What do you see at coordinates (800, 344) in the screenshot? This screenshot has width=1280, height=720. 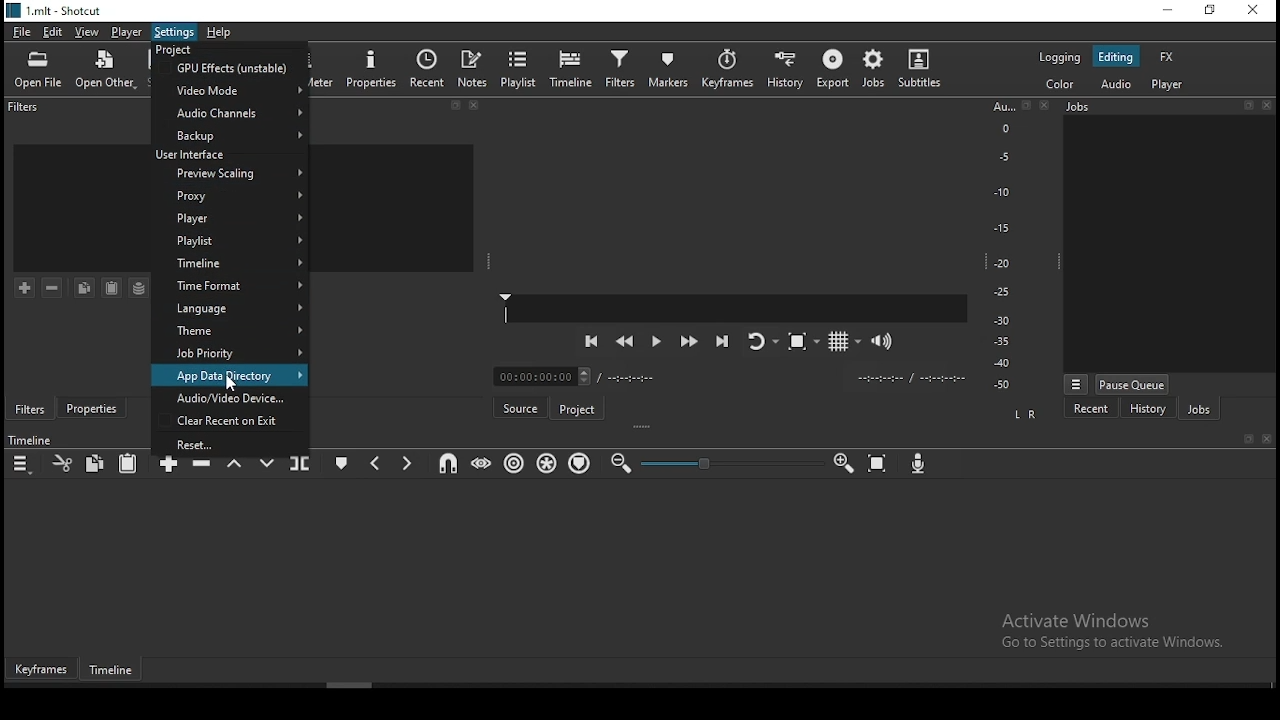 I see `toggle zoom` at bounding box center [800, 344].